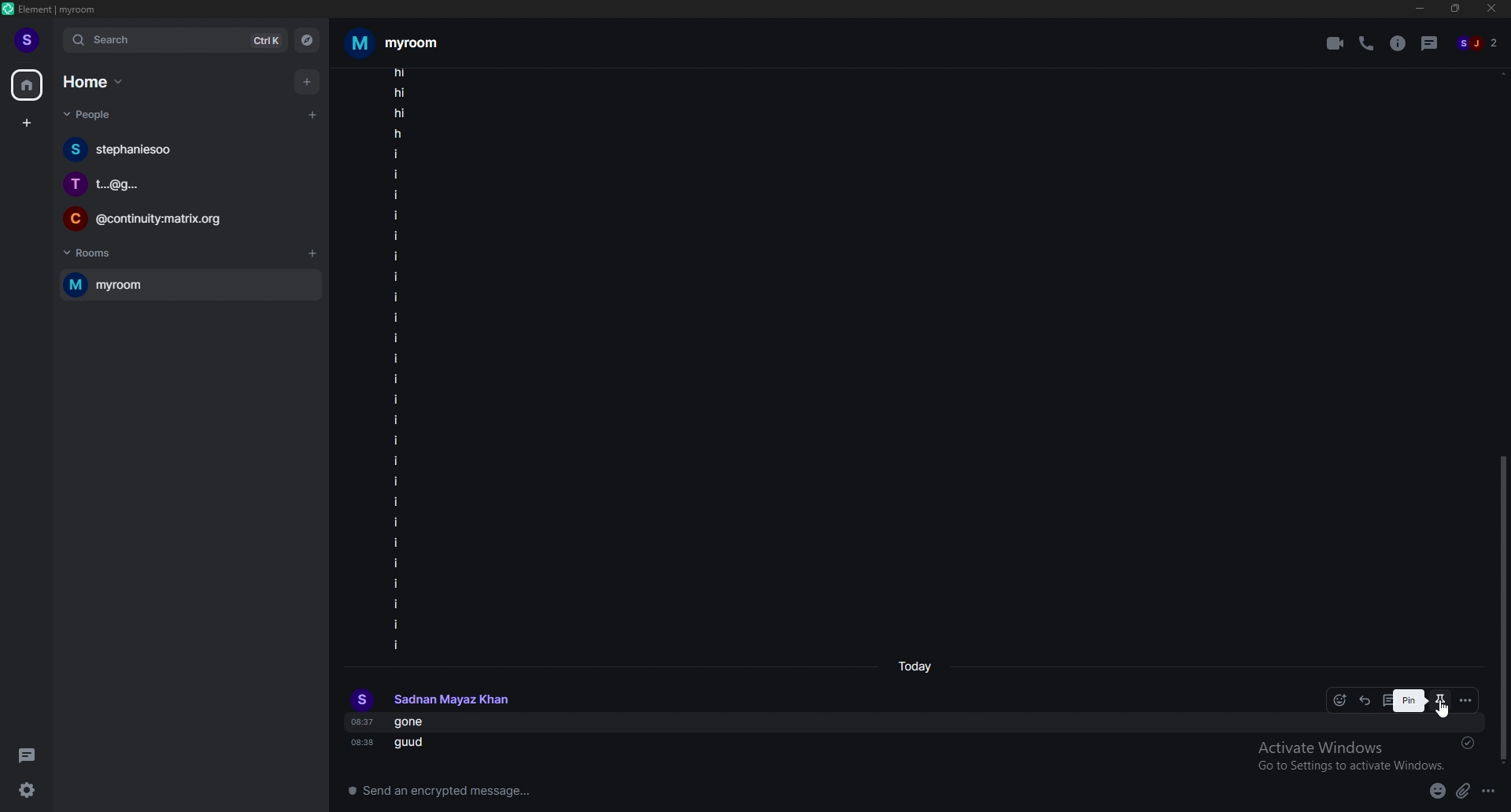 The width and height of the screenshot is (1511, 812). Describe the element at coordinates (30, 41) in the screenshot. I see `profile` at that location.